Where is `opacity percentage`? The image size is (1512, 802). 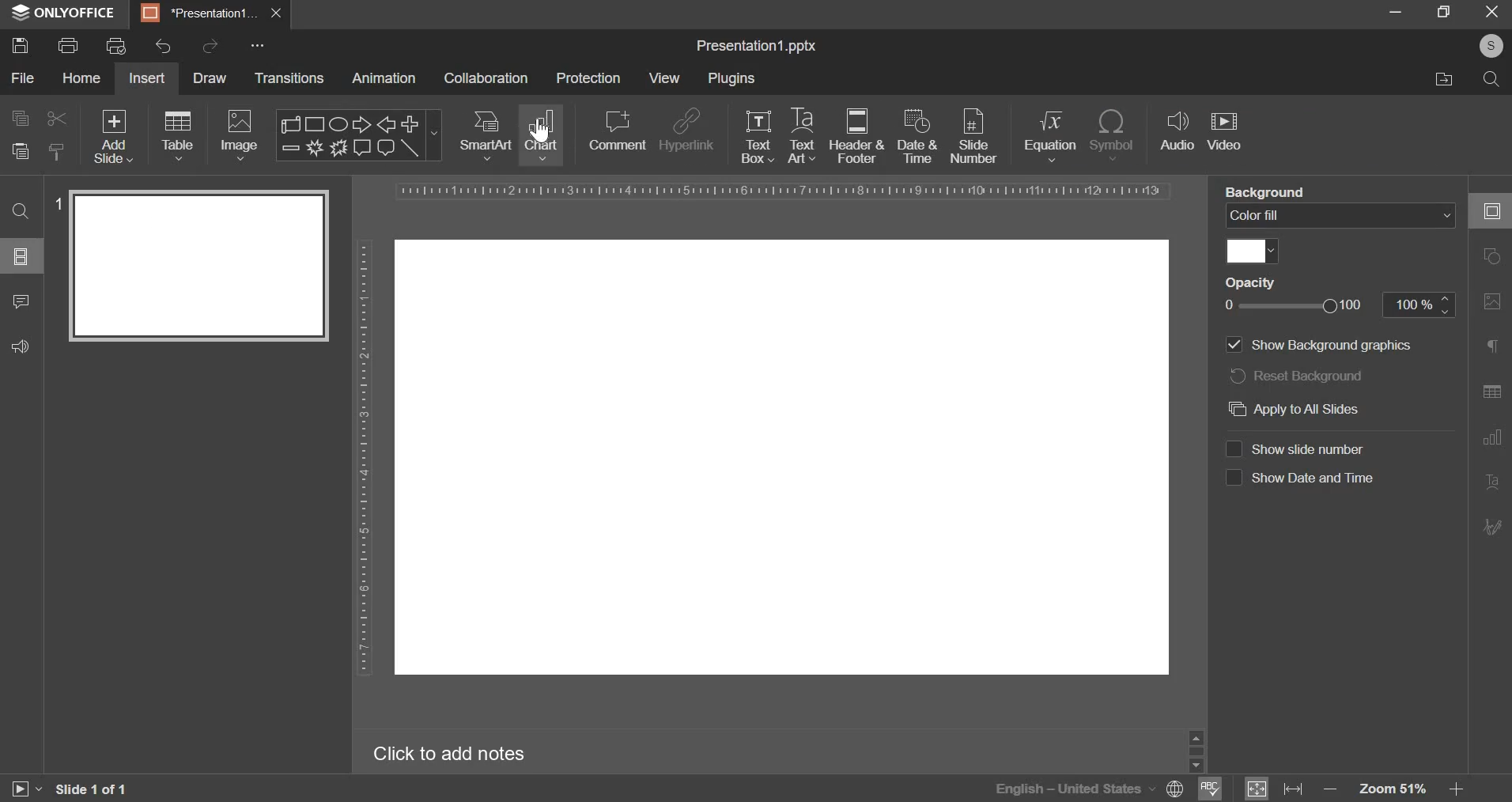
opacity percentage is located at coordinates (1419, 305).